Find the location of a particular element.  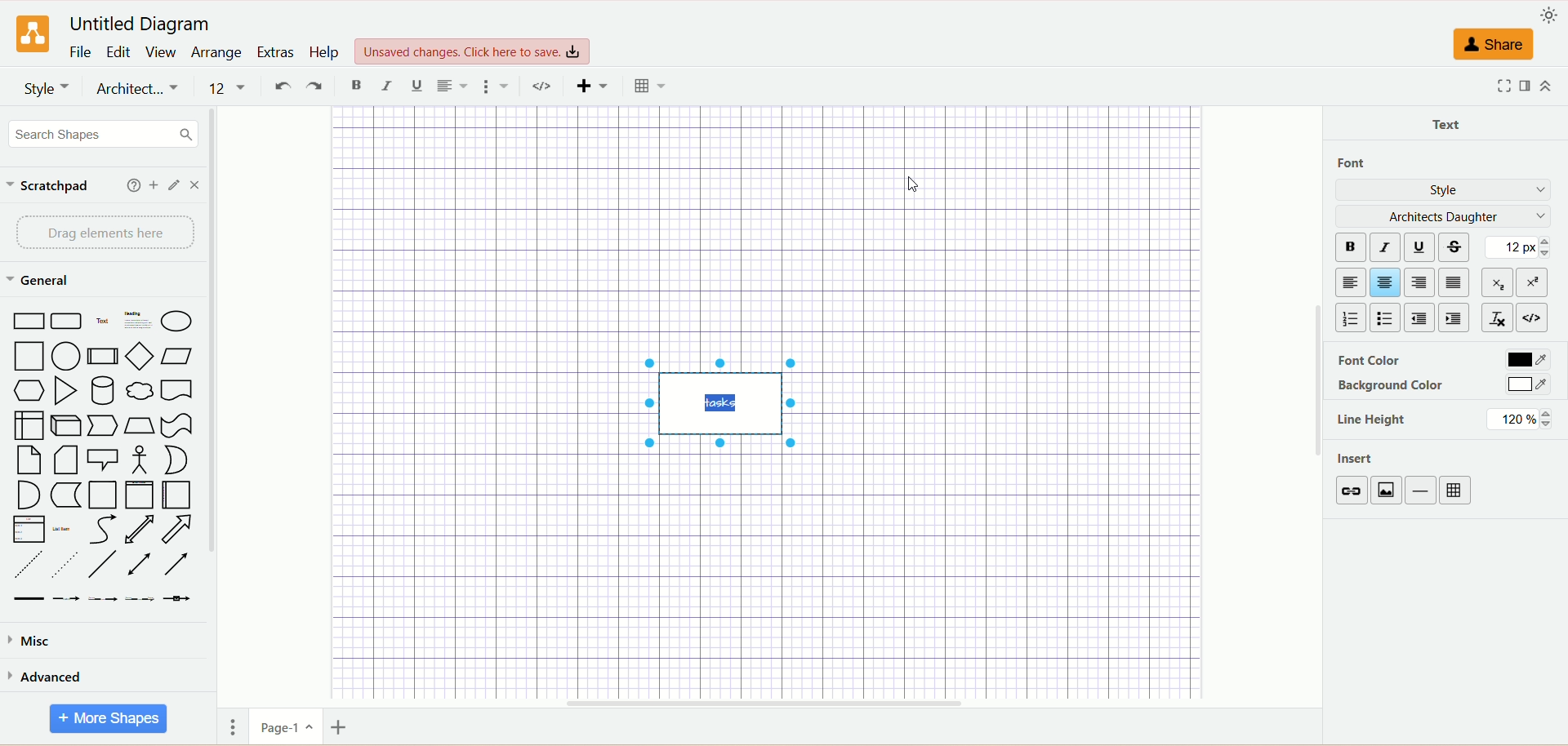

Marker is located at coordinates (66, 496).